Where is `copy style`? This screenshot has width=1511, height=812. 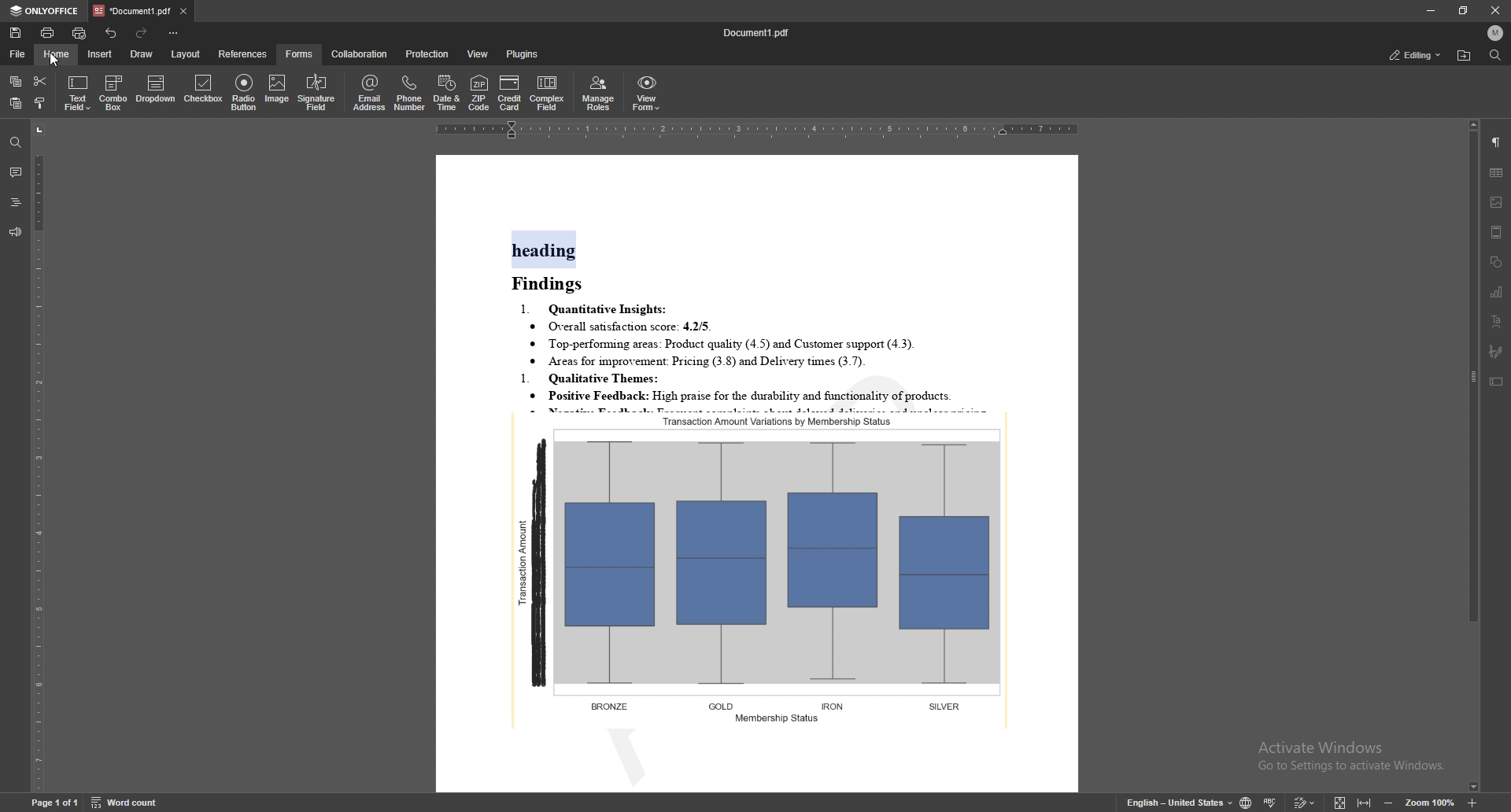
copy style is located at coordinates (42, 102).